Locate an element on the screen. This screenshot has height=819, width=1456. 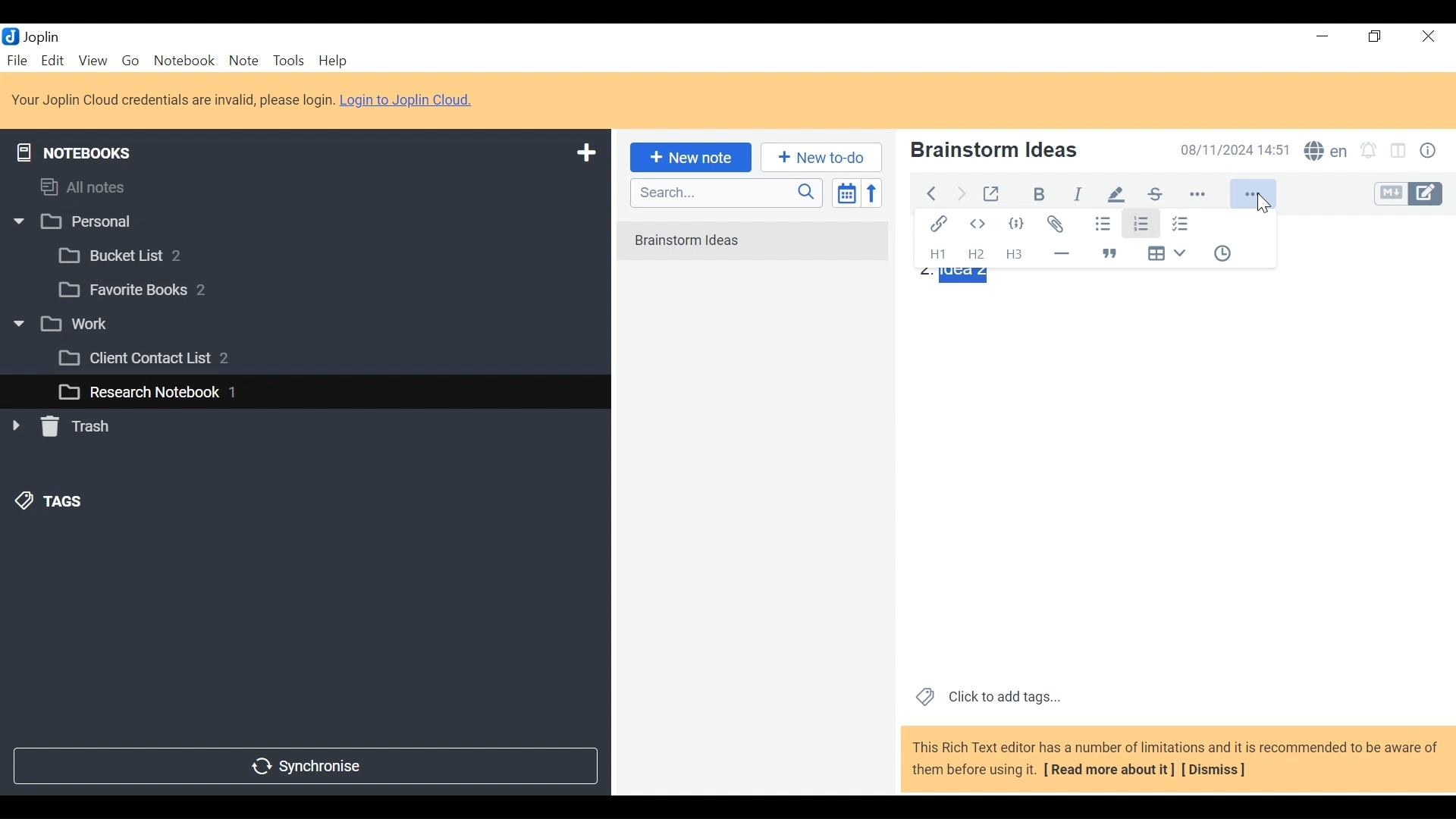
Blockquote is located at coordinates (1111, 253).